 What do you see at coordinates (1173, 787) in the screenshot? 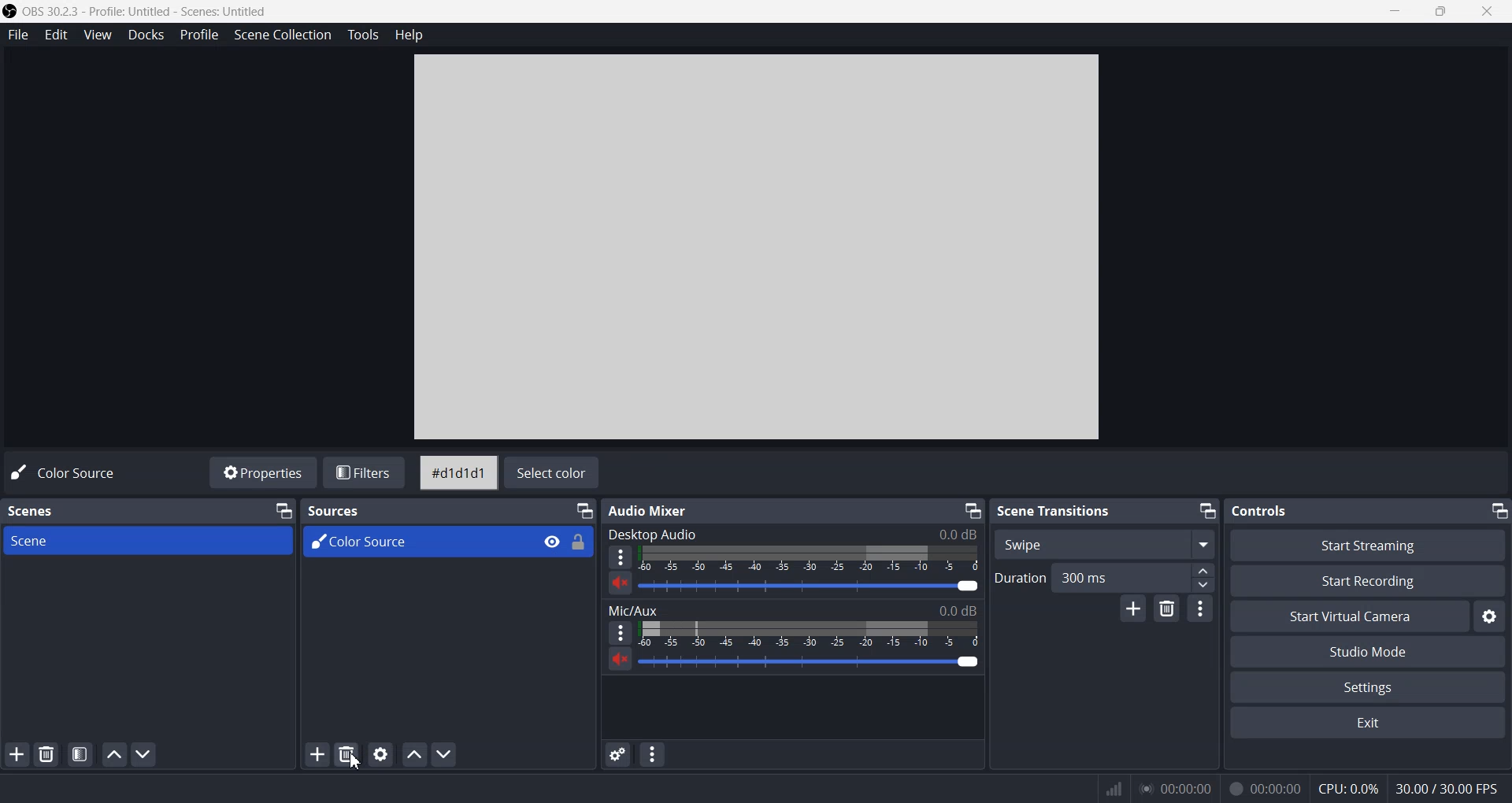
I see `00:00:00` at bounding box center [1173, 787].